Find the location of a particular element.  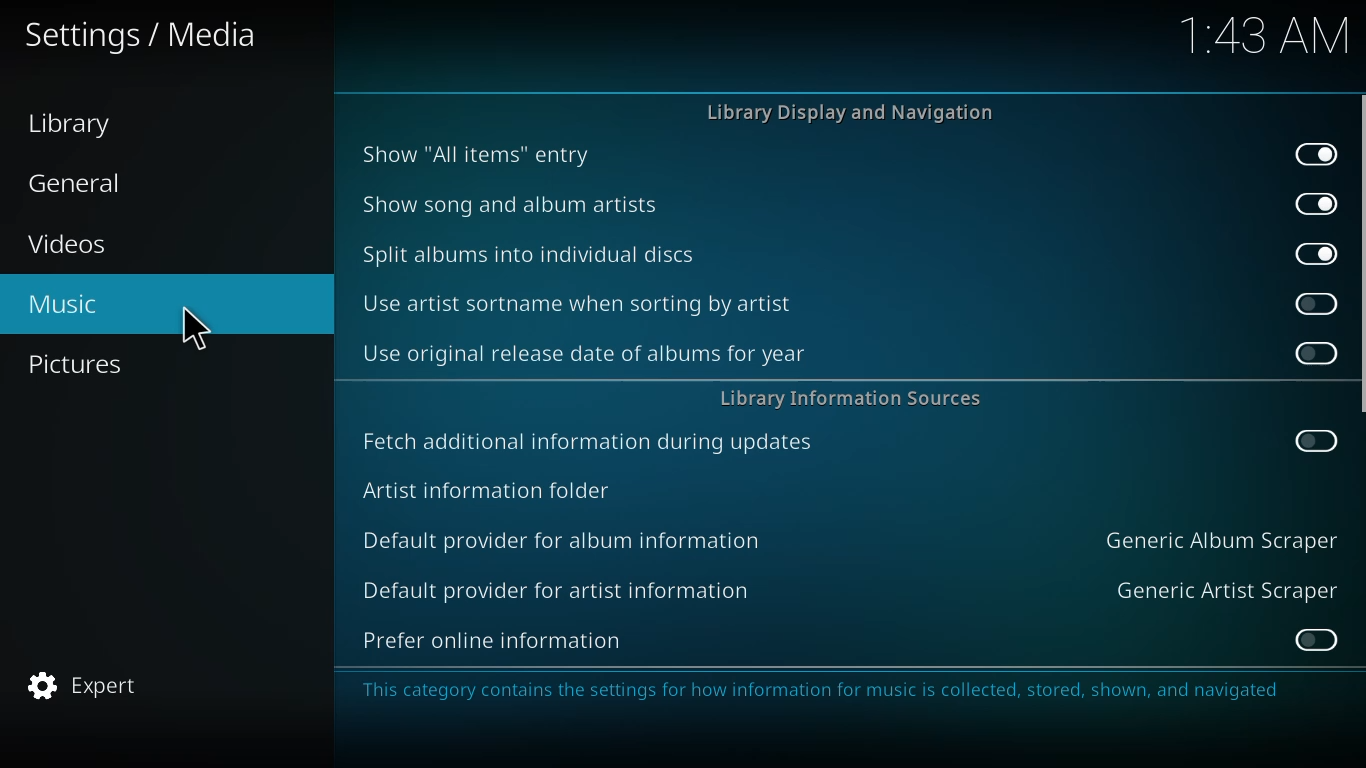

enabled is located at coordinates (1316, 152).